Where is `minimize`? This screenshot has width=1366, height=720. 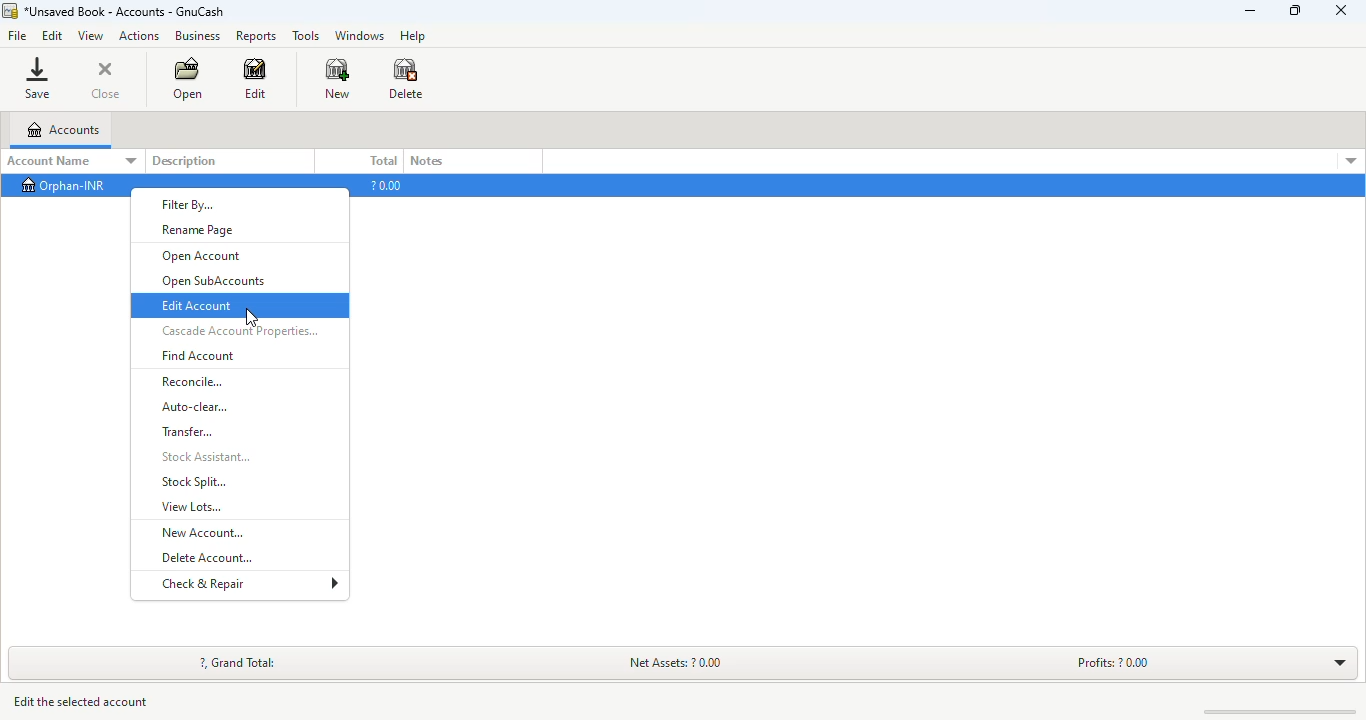 minimize is located at coordinates (1250, 10).